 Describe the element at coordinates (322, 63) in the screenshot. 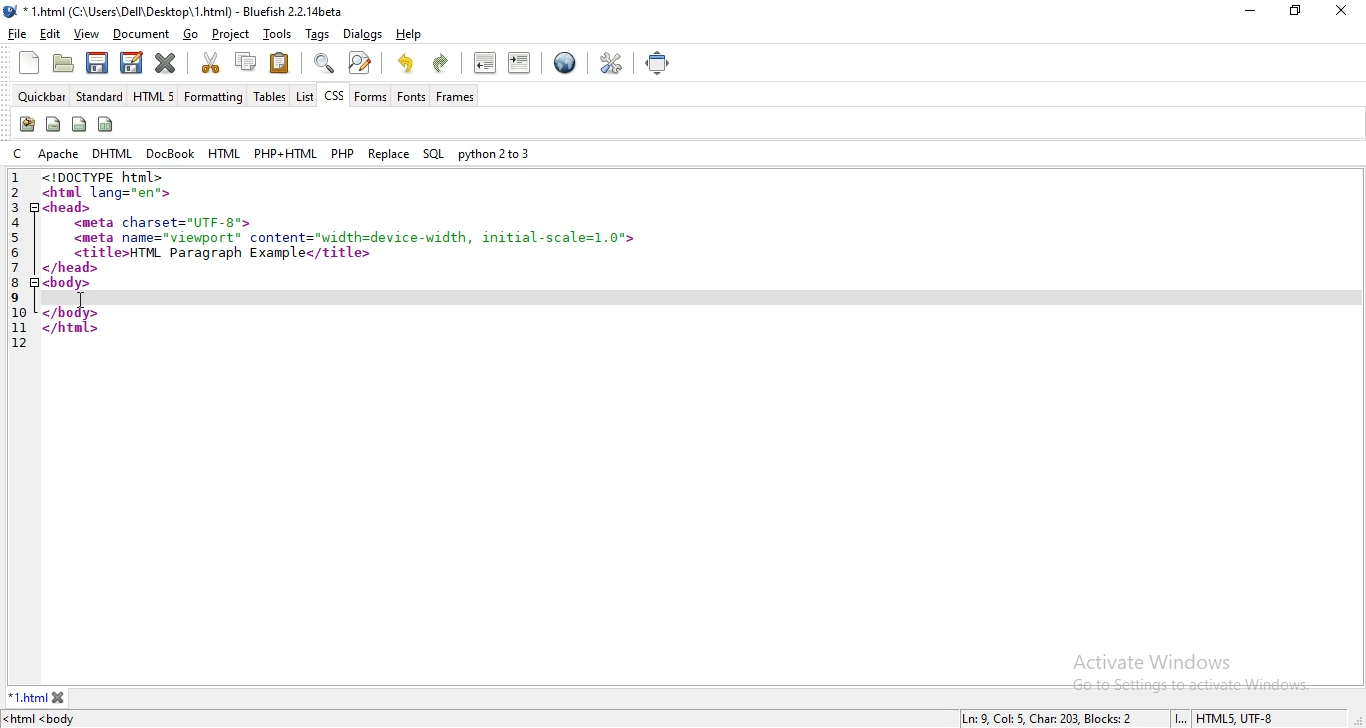

I see `show find bar` at that location.